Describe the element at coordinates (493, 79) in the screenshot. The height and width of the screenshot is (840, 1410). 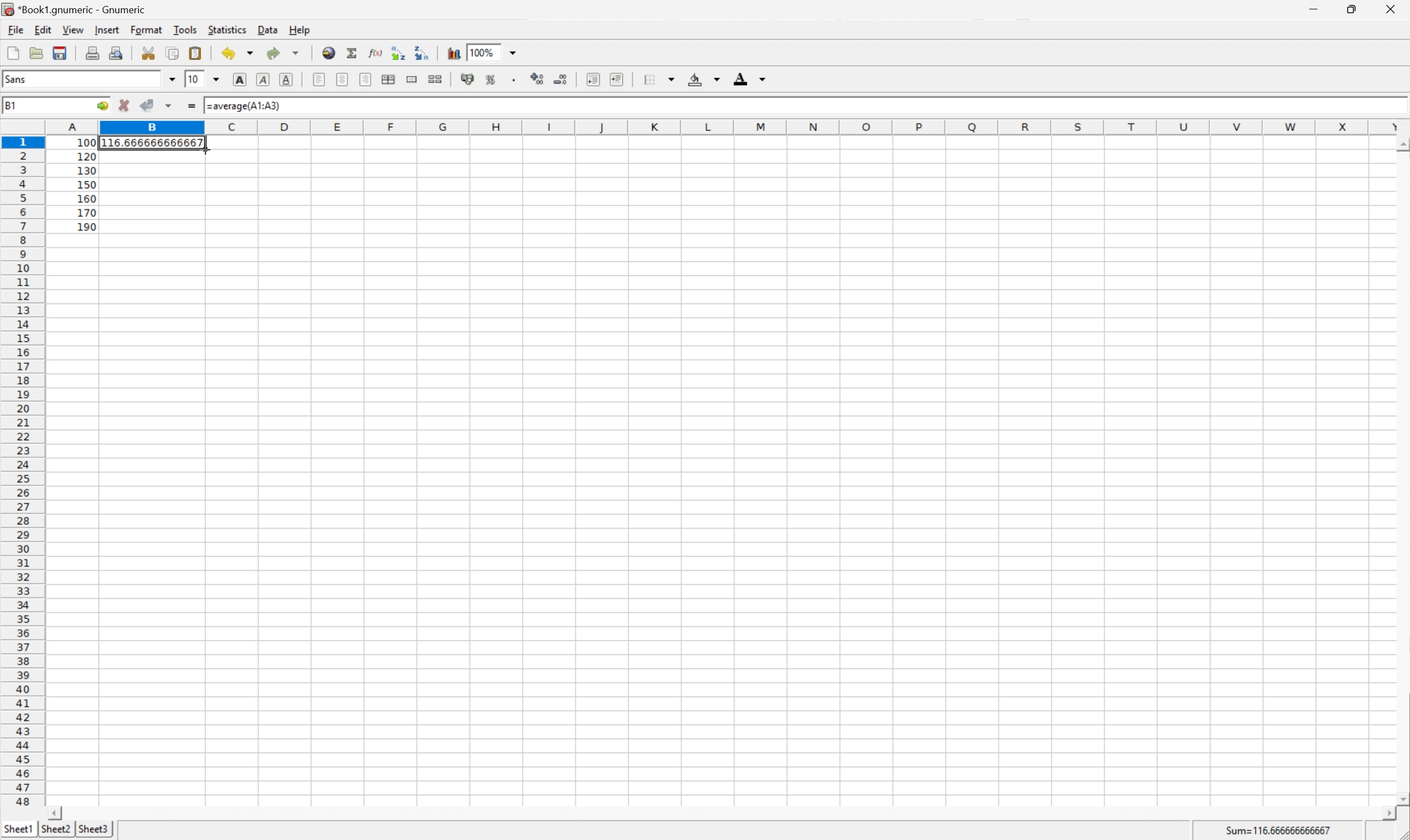
I see `Format the selection as percentage` at that location.